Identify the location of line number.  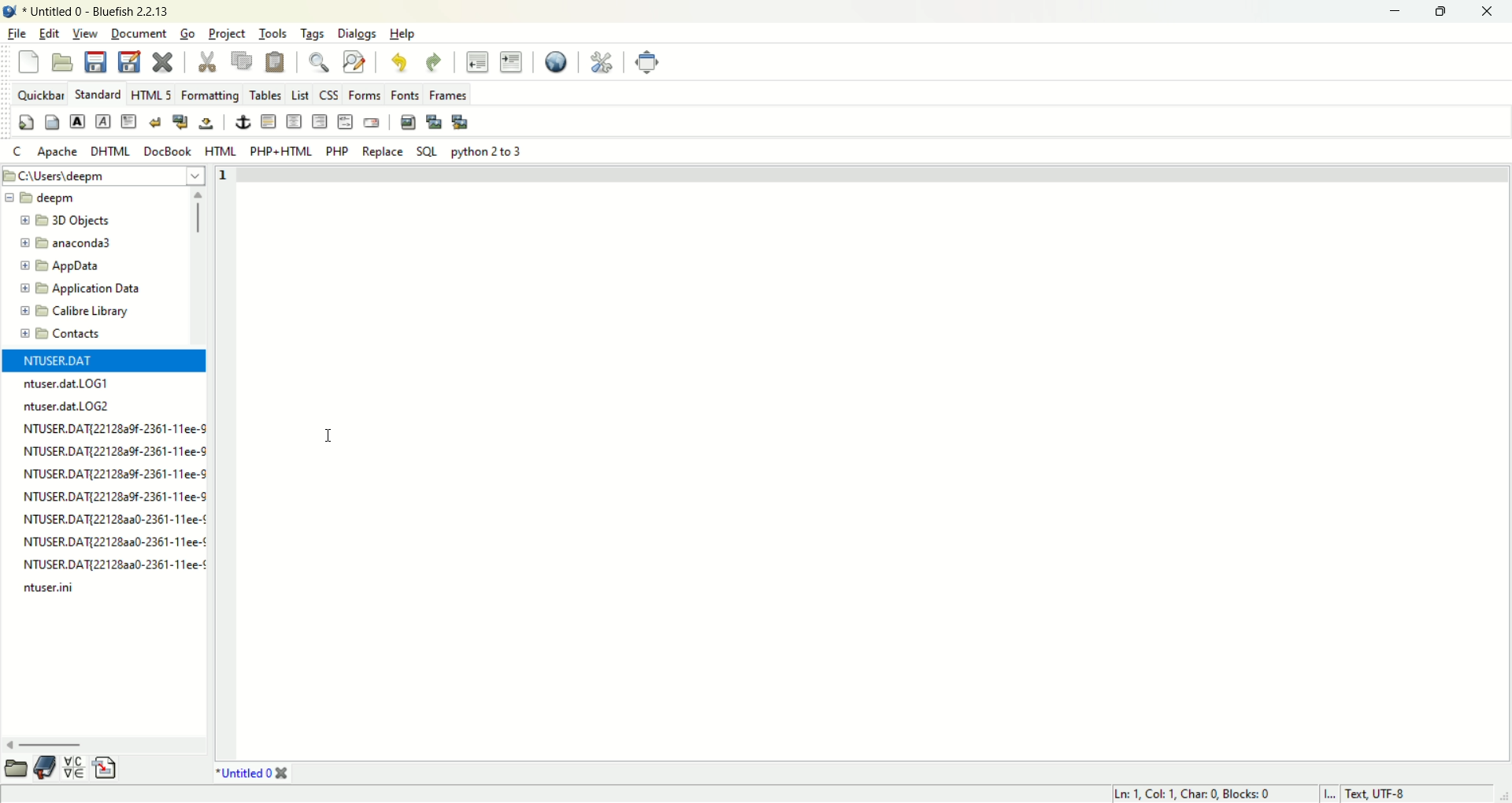
(225, 460).